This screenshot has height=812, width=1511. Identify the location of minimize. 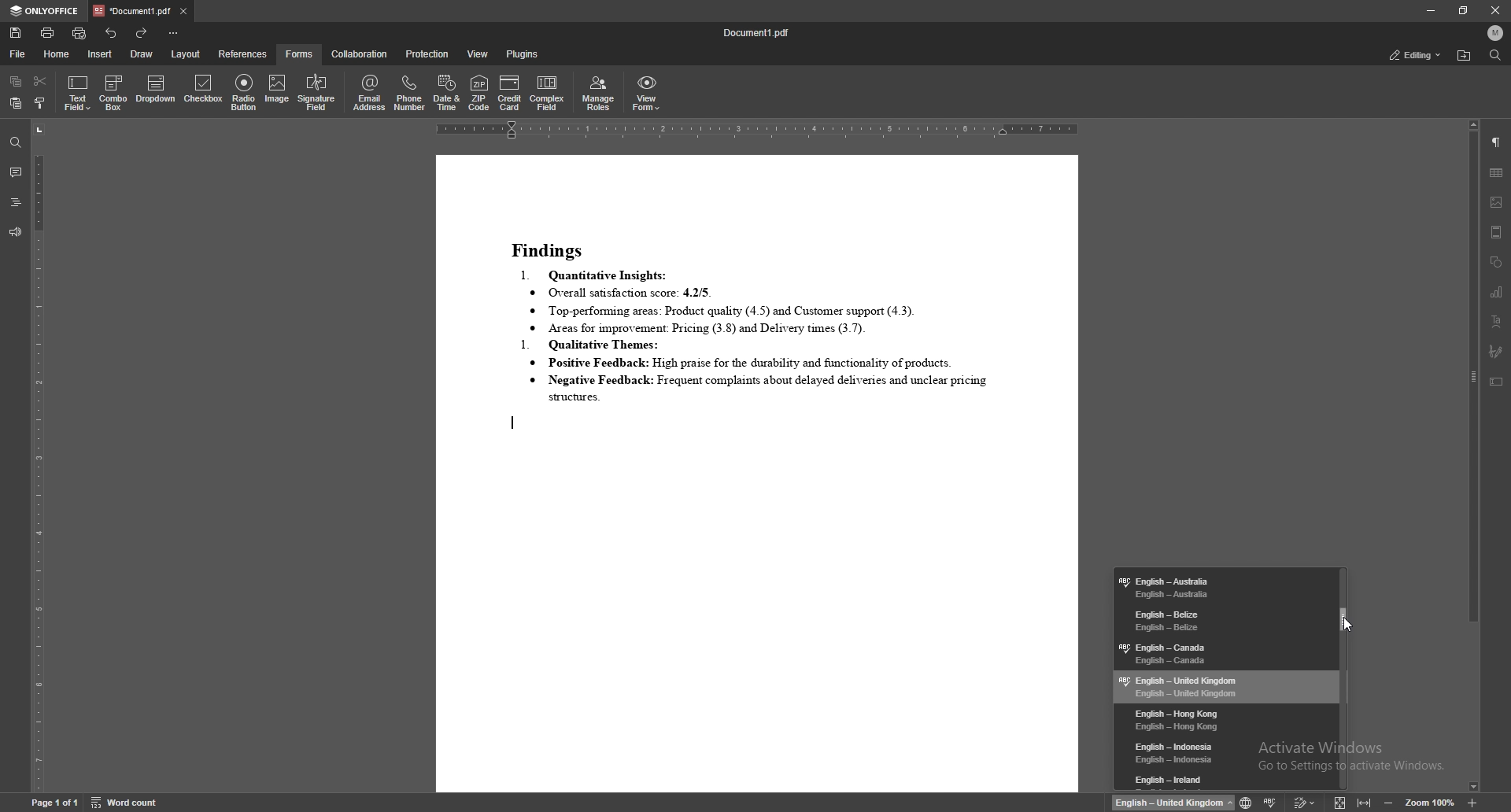
(1431, 10).